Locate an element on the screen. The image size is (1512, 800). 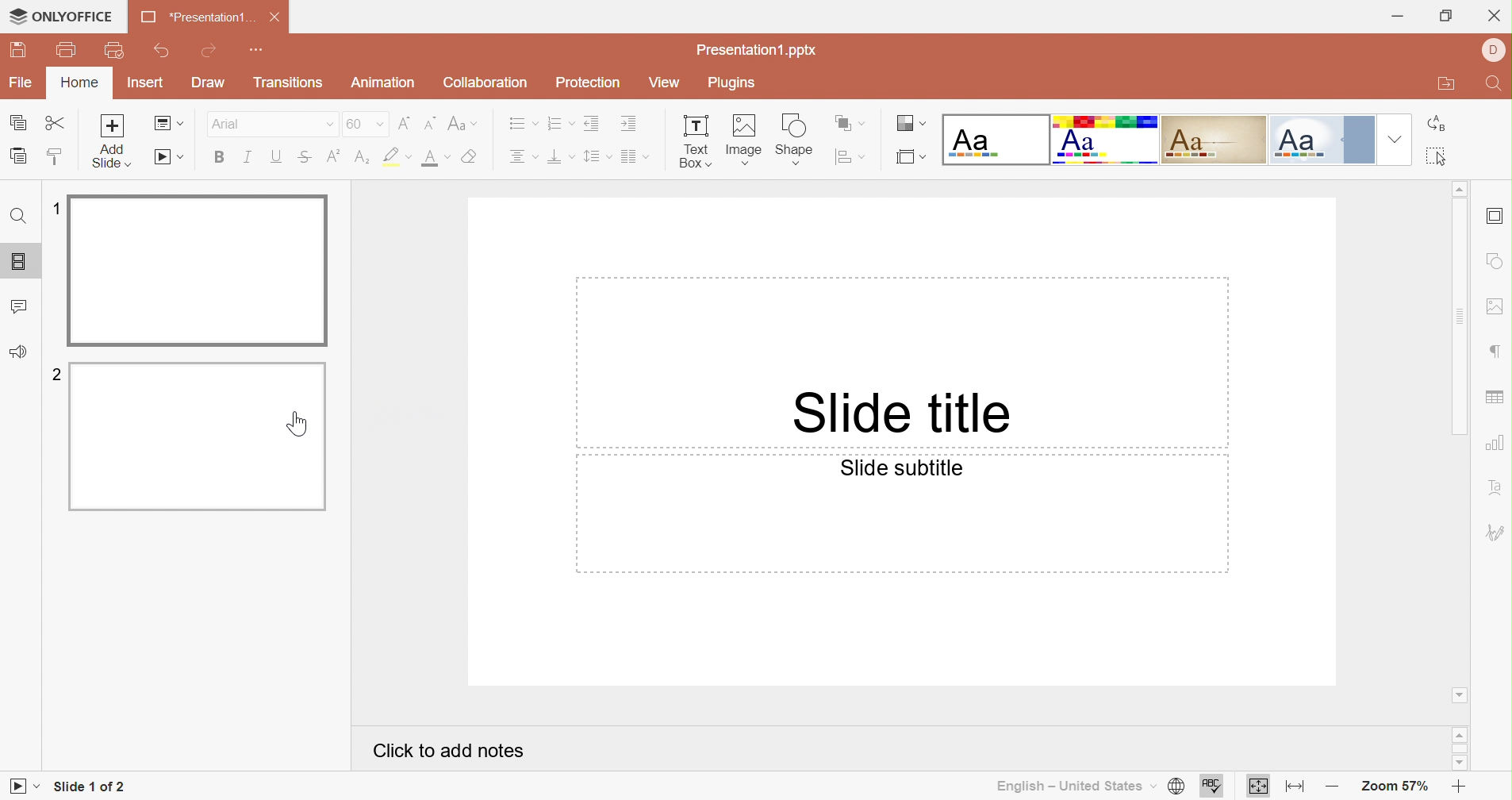
Scroll Bar is located at coordinates (1461, 748).